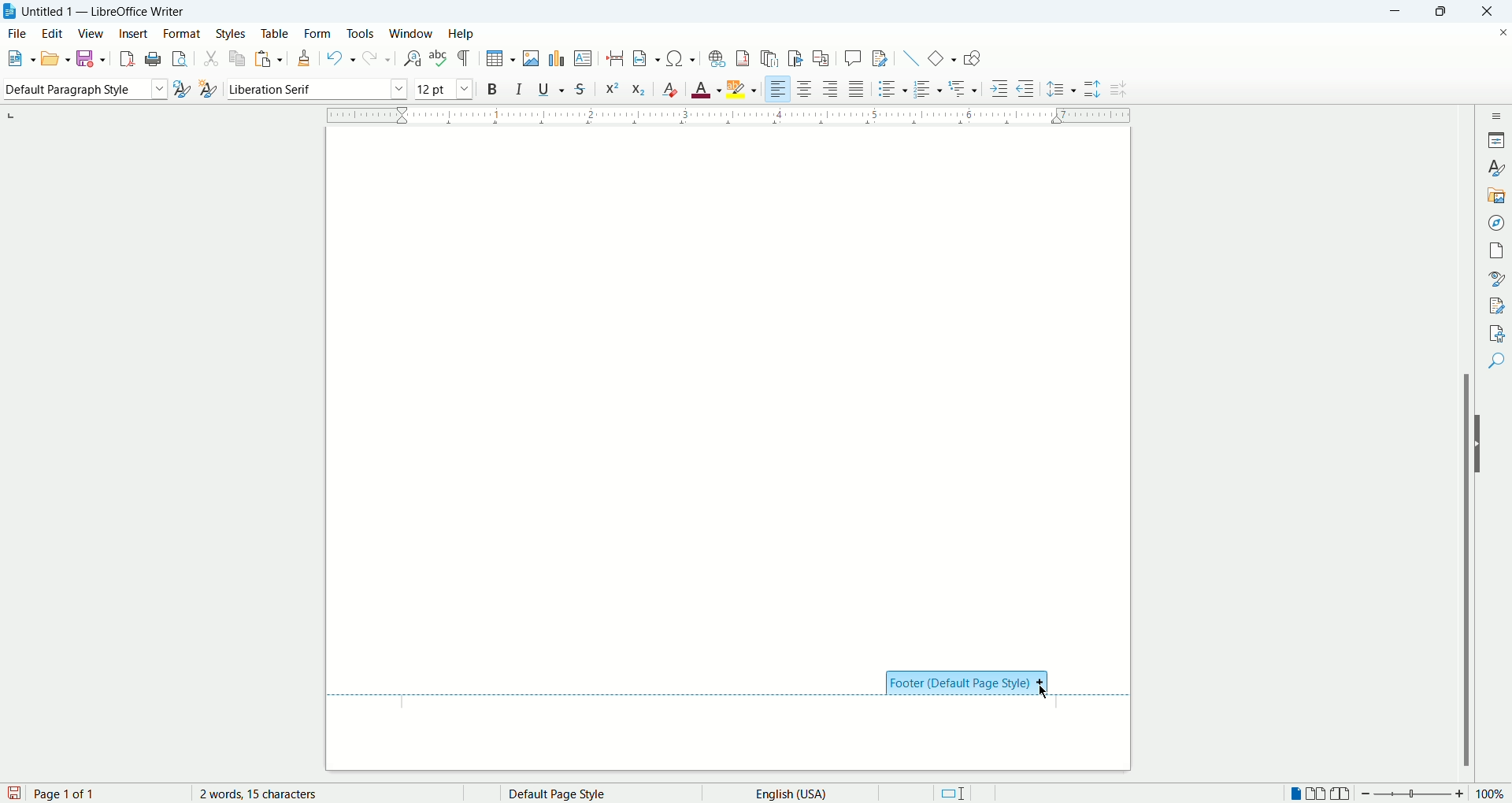 Image resolution: width=1512 pixels, height=803 pixels. I want to click on line spacing, so click(1062, 91).